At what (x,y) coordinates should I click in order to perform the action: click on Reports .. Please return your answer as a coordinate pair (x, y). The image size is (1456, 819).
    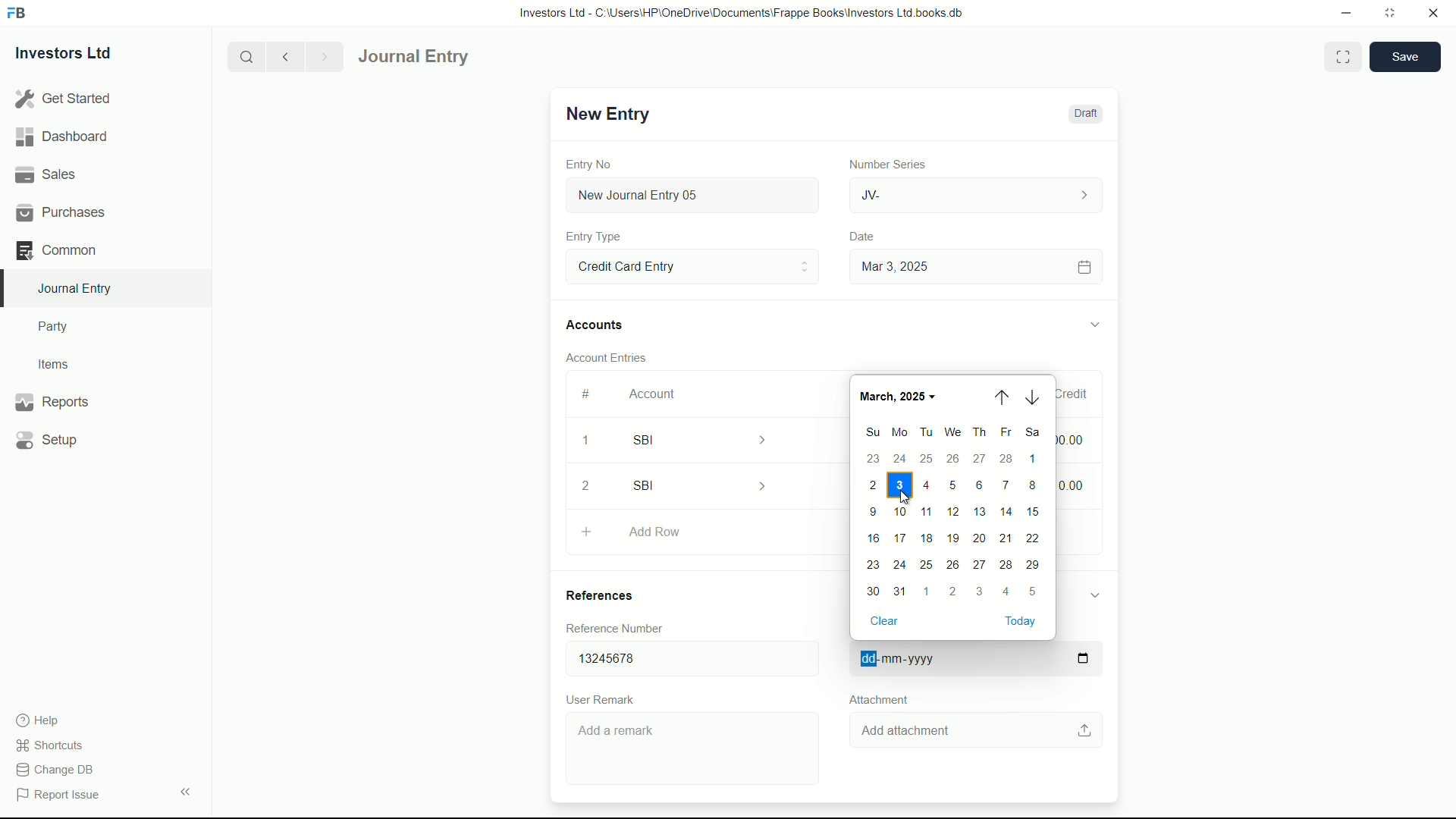
    Looking at the image, I should click on (52, 400).